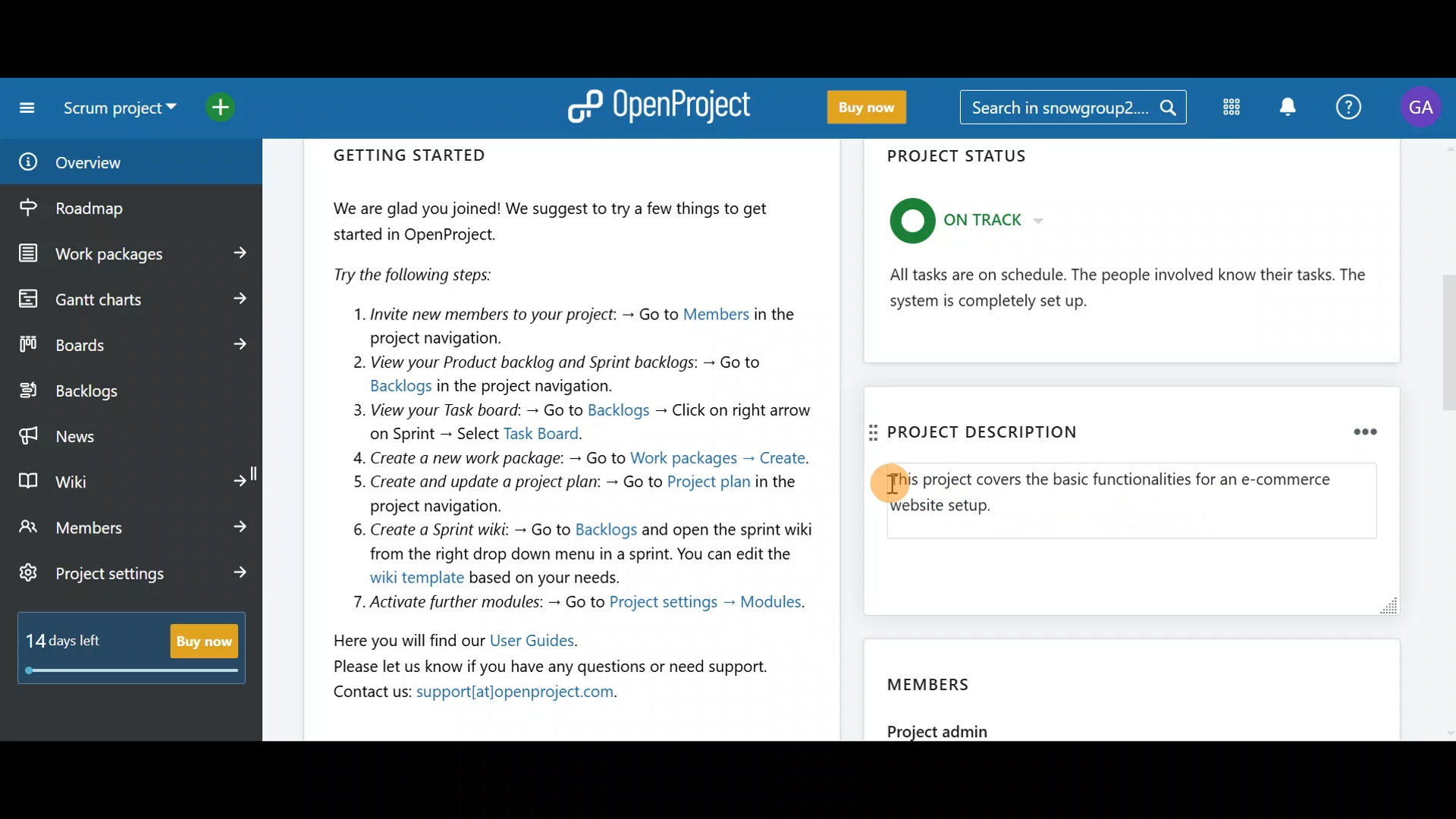  I want to click on Getting started, so click(573, 428).